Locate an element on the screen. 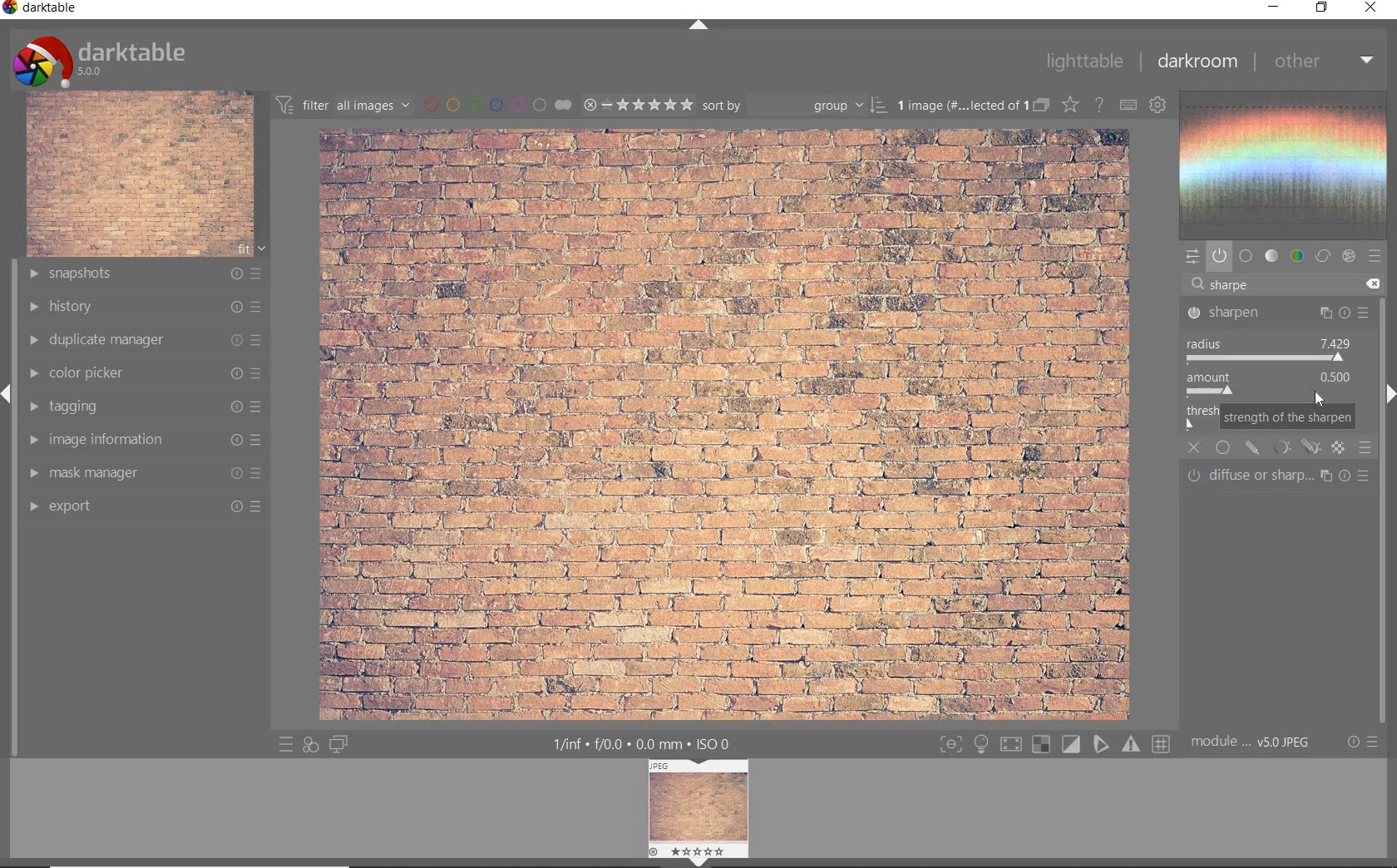  image information is located at coordinates (144, 439).